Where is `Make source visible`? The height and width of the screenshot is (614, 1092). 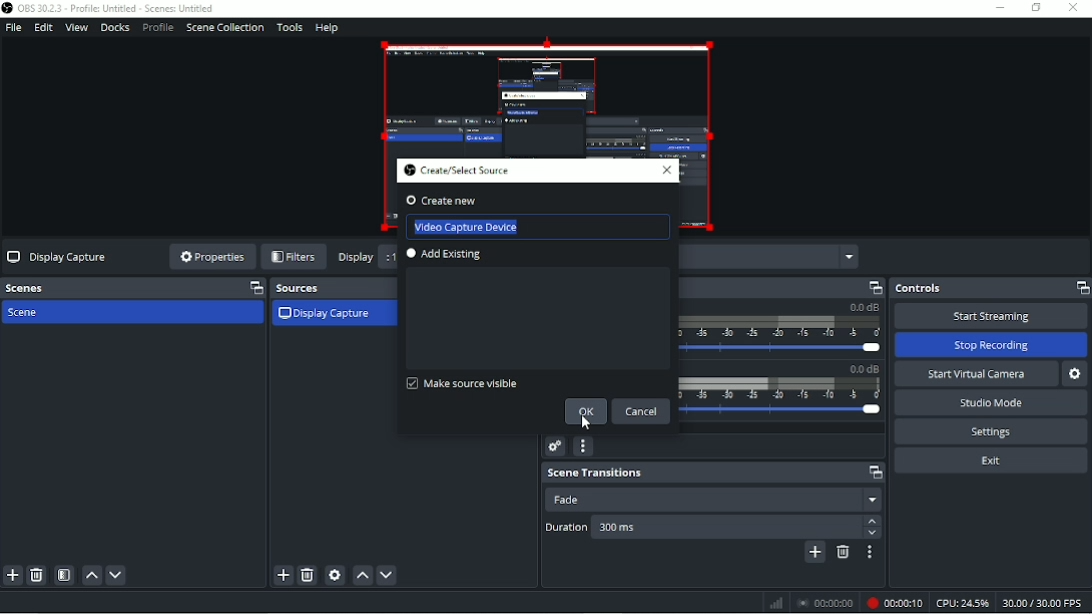 Make source visible is located at coordinates (461, 383).